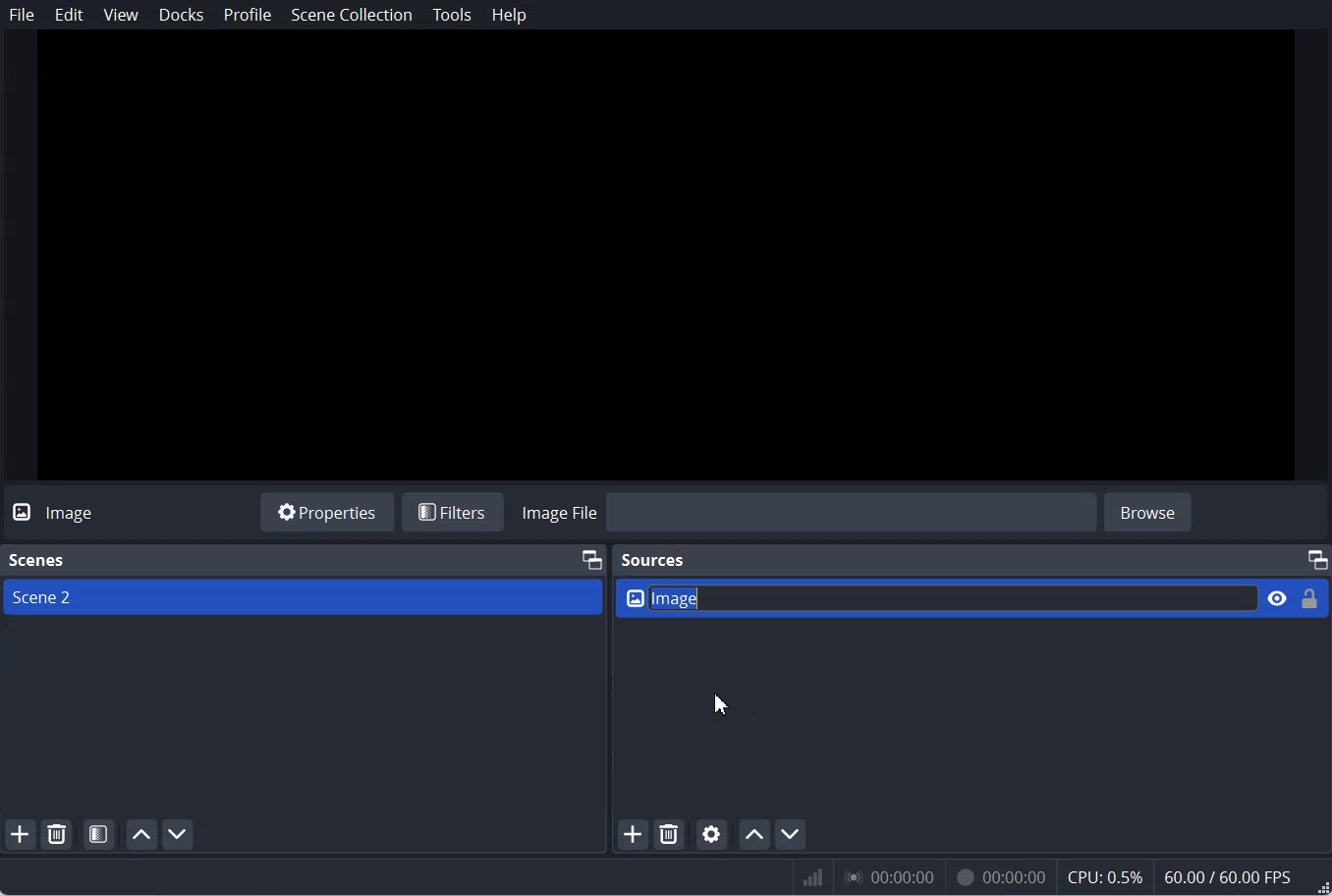 The height and width of the screenshot is (896, 1332). Describe the element at coordinates (1151, 511) in the screenshot. I see `browse` at that location.